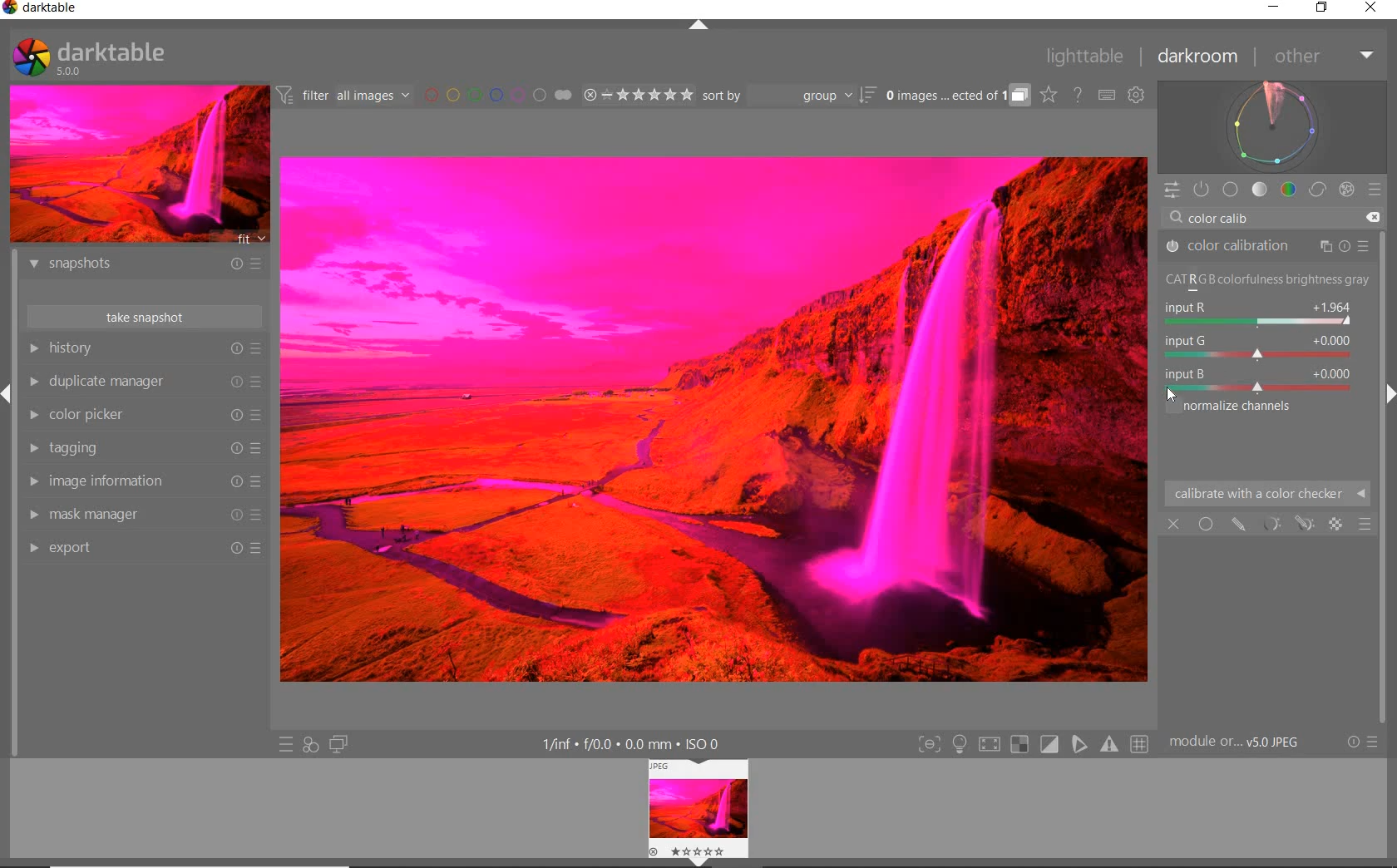 The image size is (1397, 868). I want to click on INPUT G, so click(1255, 346).